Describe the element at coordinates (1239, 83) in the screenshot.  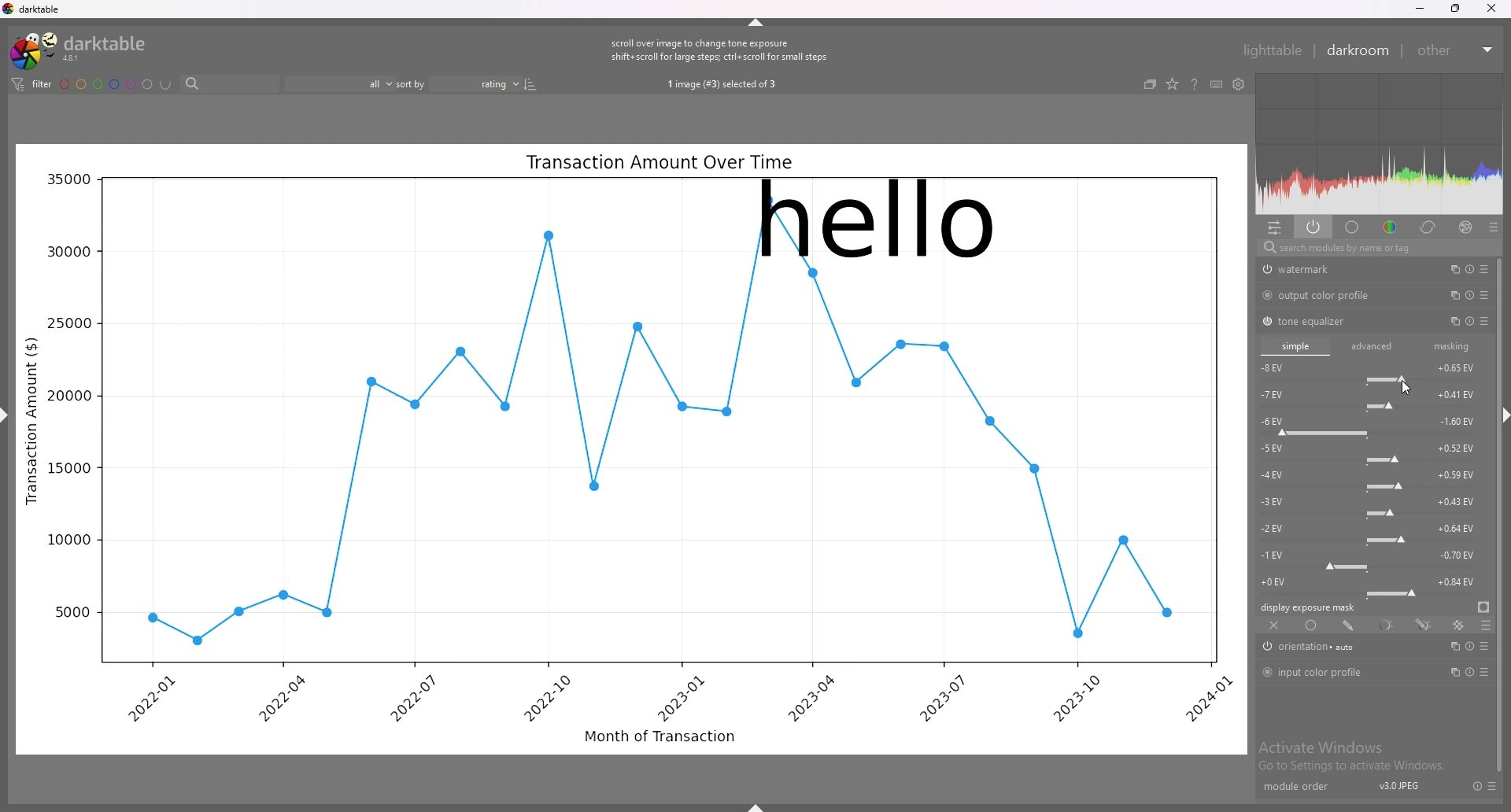
I see `show global preferences` at that location.